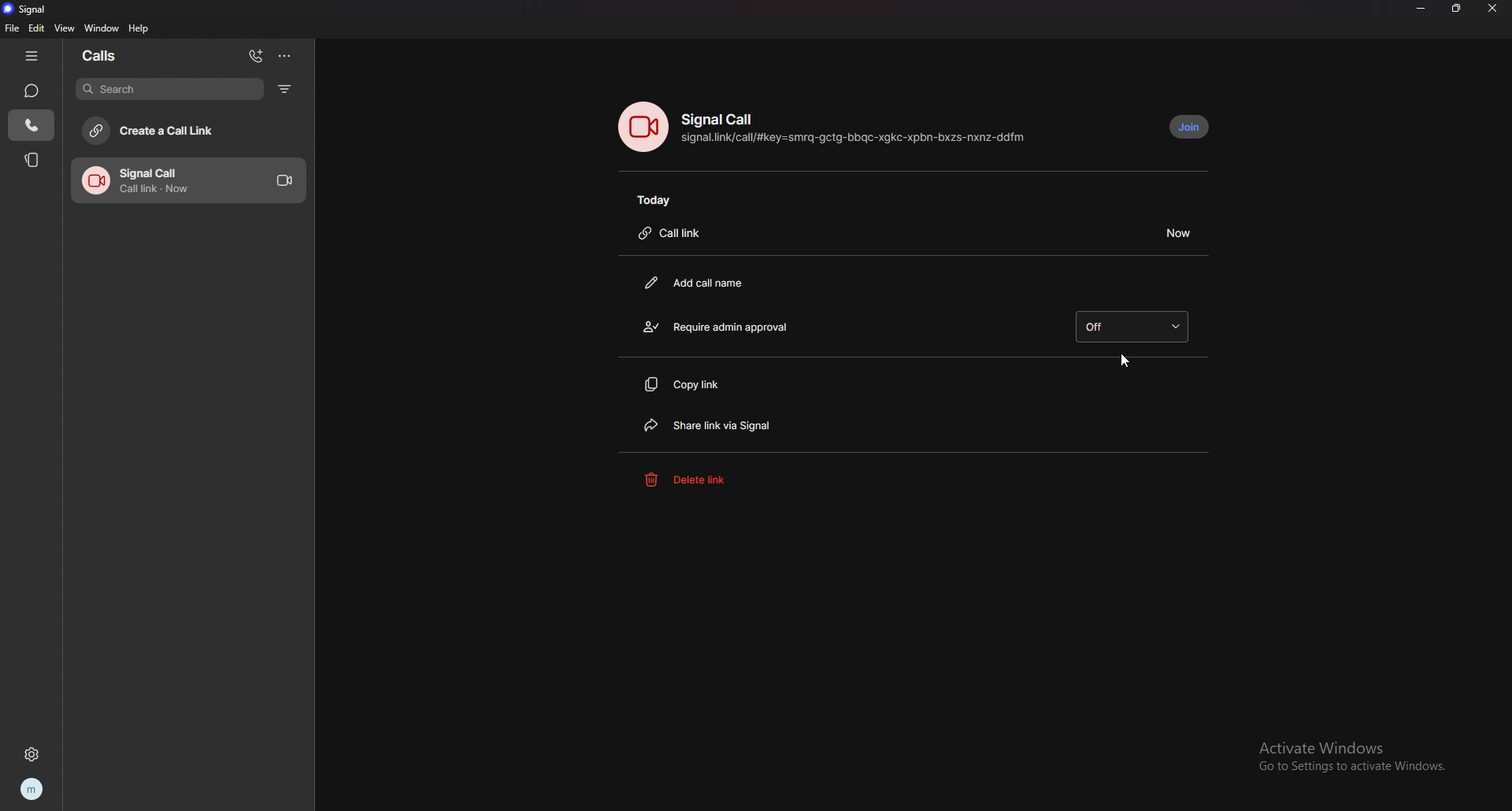 The width and height of the screenshot is (1512, 811). What do you see at coordinates (186, 131) in the screenshot?
I see `create a call link` at bounding box center [186, 131].